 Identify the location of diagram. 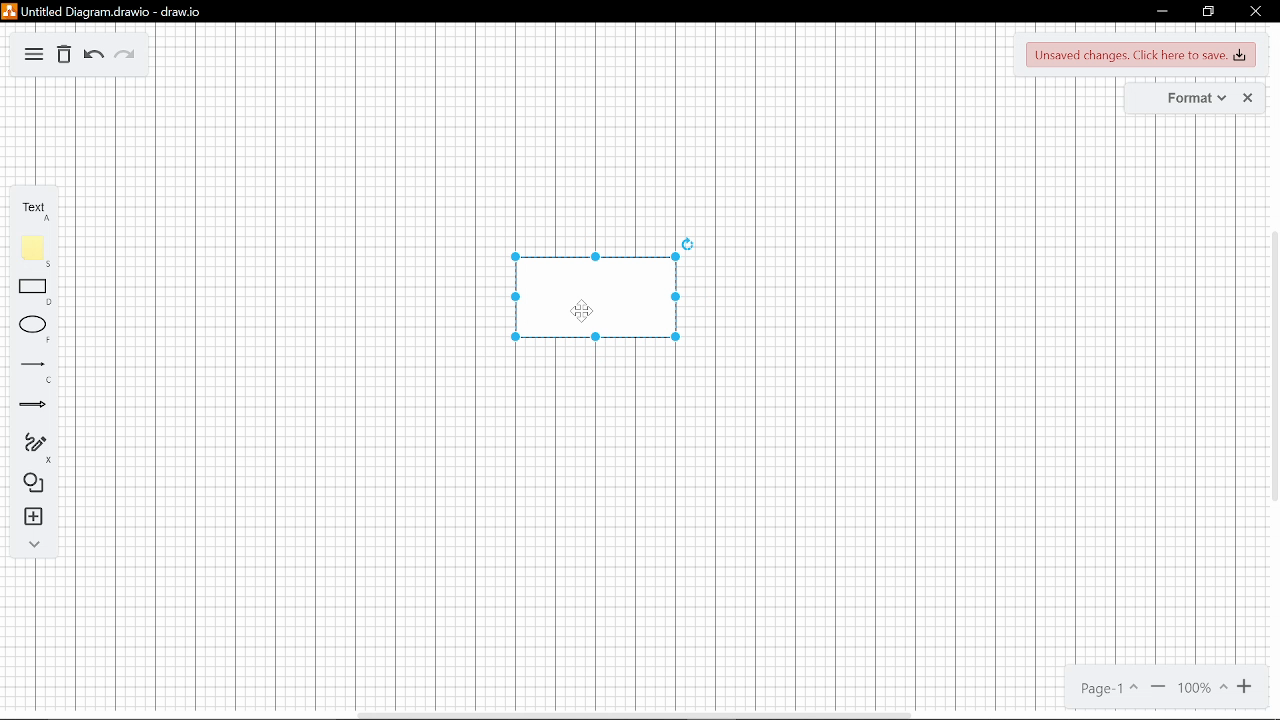
(594, 297).